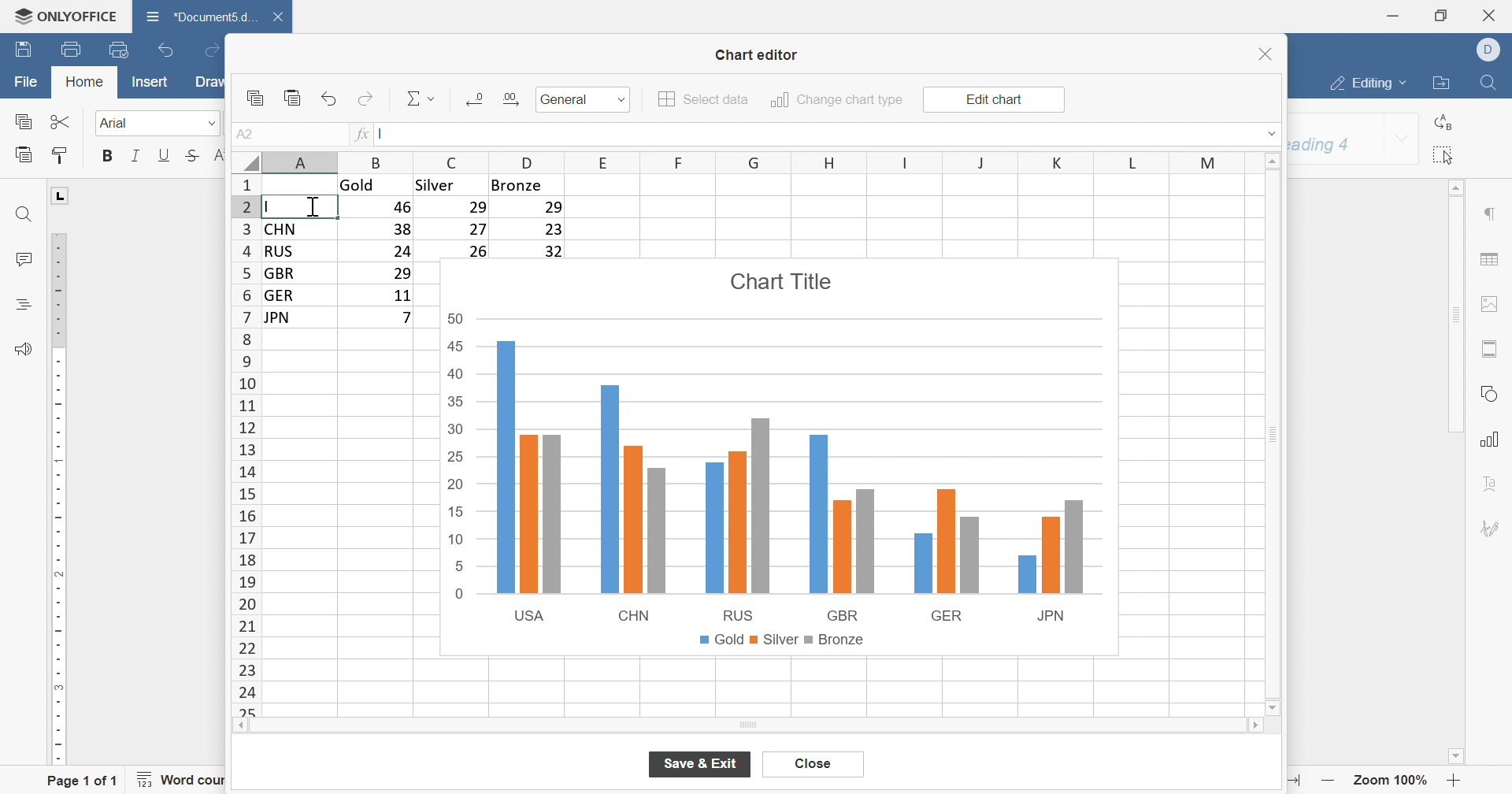 This screenshot has width=1512, height=794. Describe the element at coordinates (61, 155) in the screenshot. I see `copy style` at that location.